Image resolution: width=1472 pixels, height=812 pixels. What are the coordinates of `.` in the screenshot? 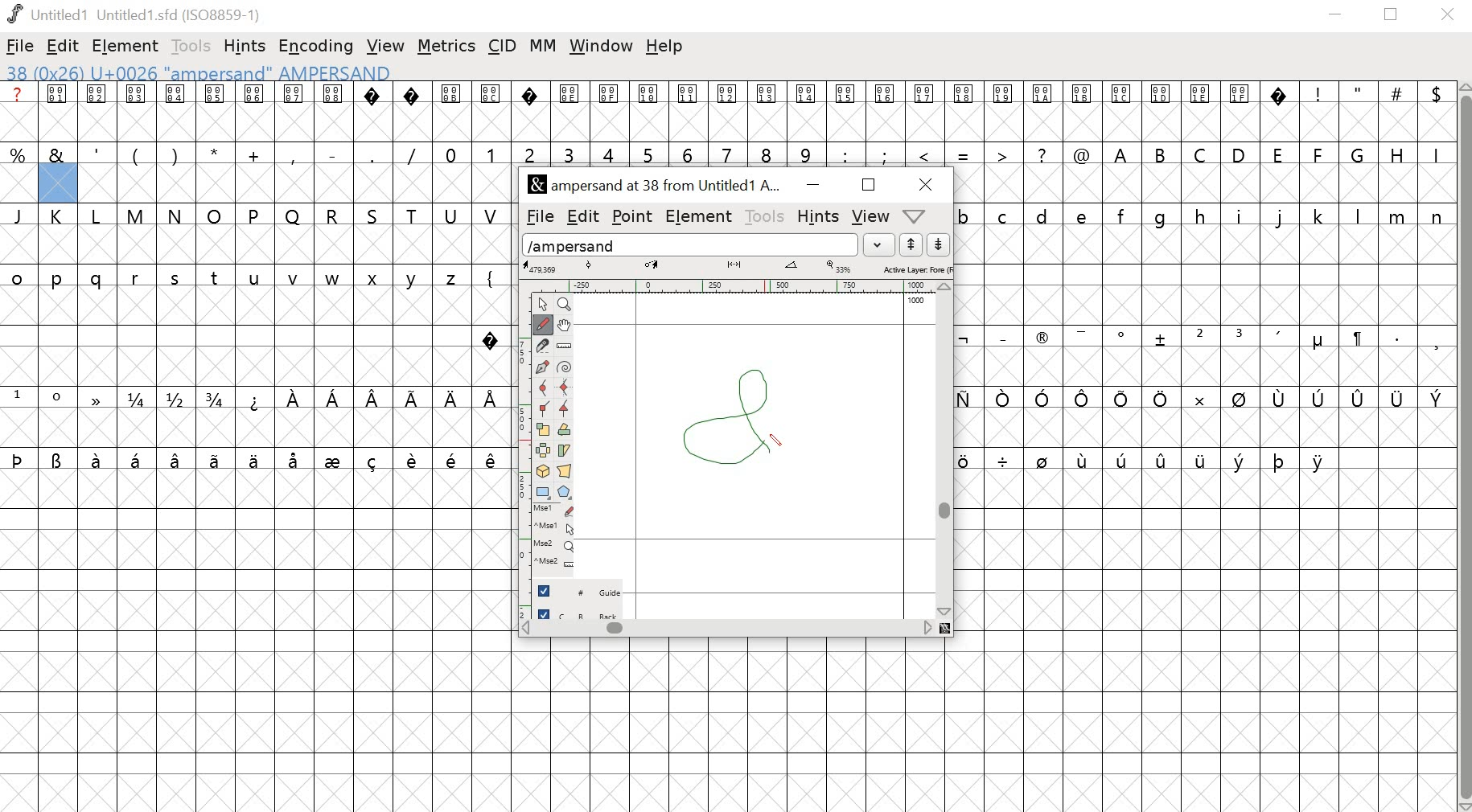 It's located at (371, 154).